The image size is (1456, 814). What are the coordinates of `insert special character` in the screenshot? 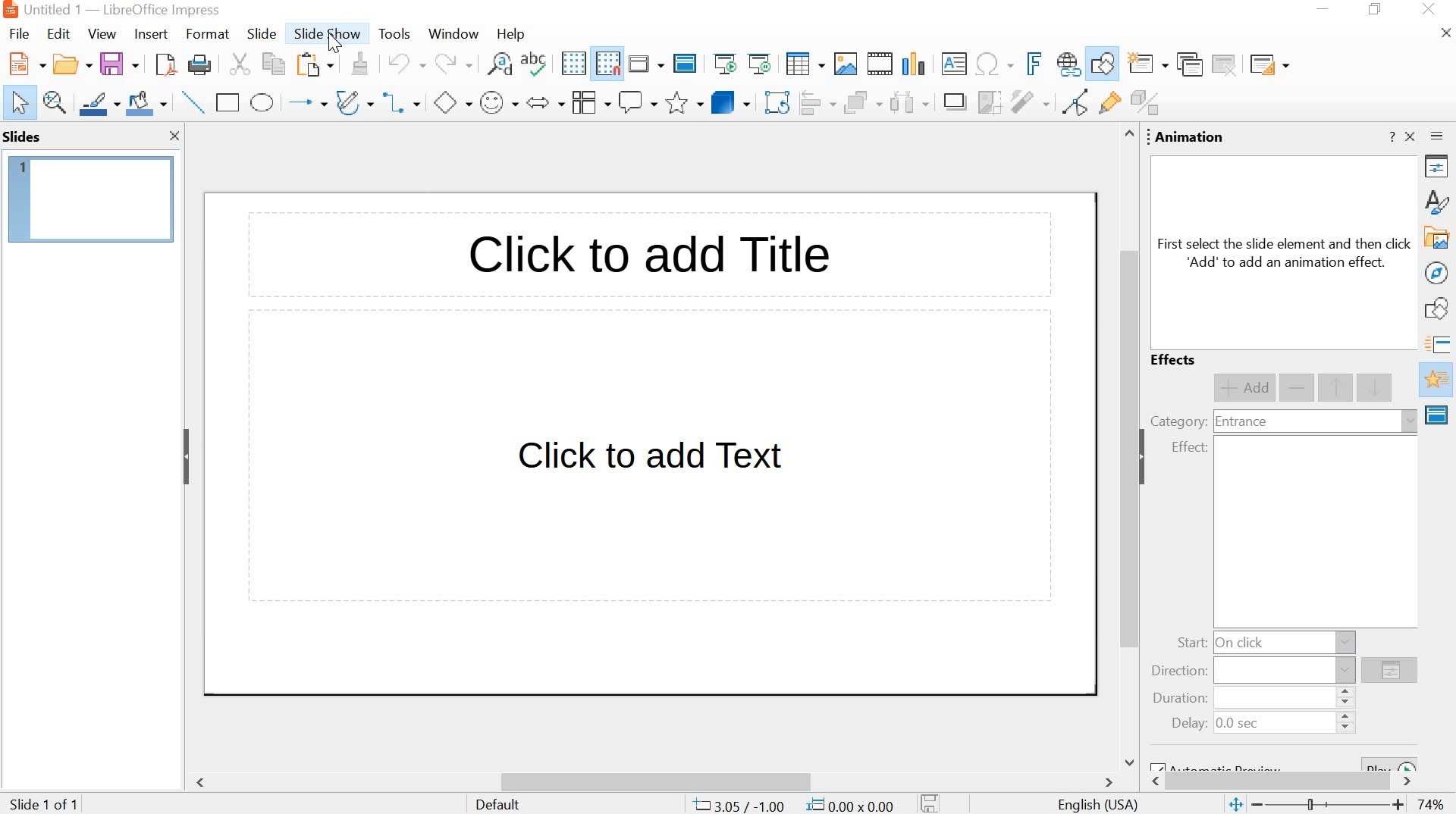 It's located at (993, 64).